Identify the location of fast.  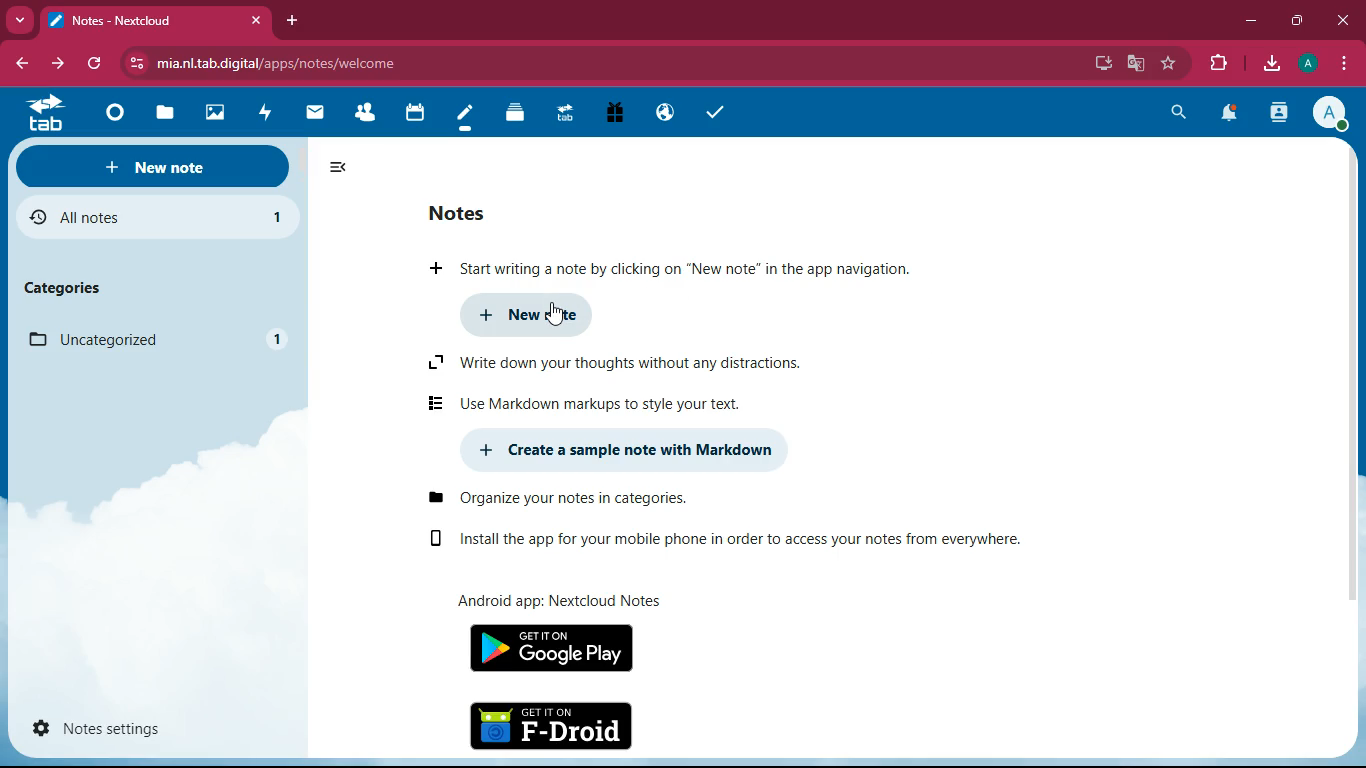
(264, 112).